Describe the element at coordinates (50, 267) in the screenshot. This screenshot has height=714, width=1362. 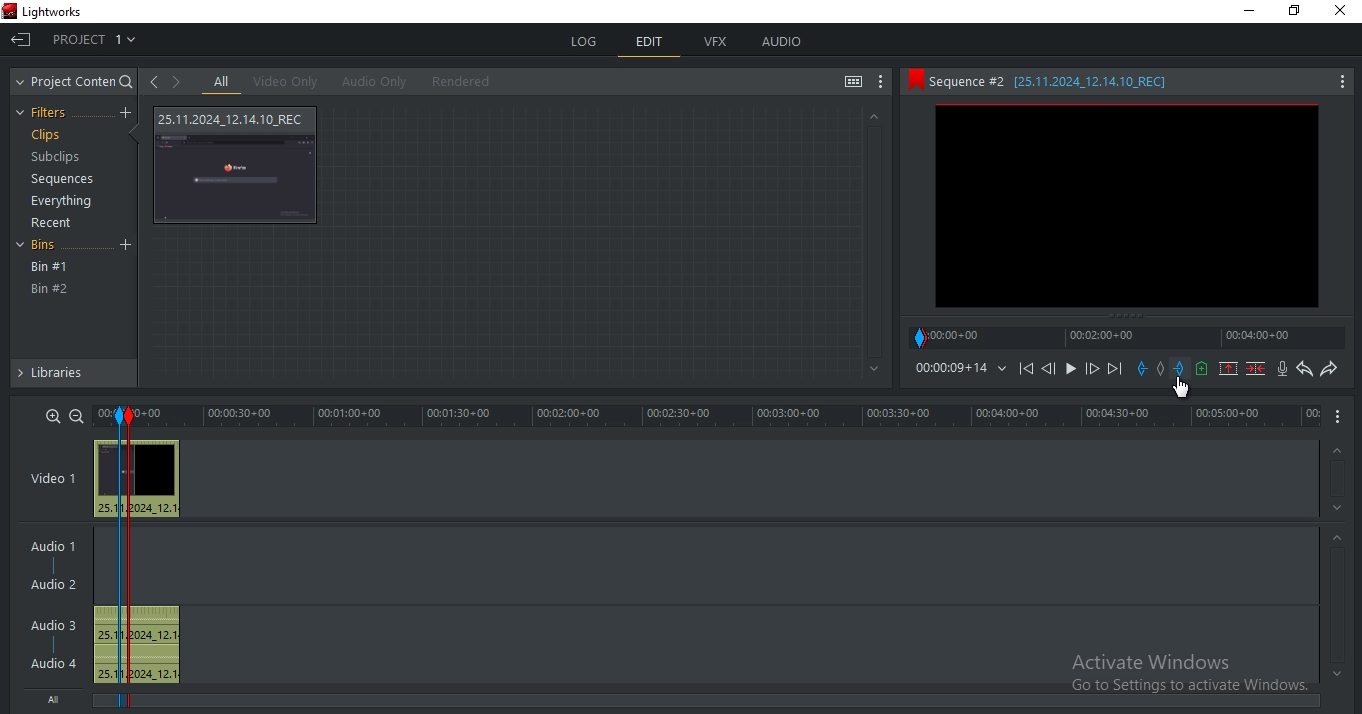
I see `bin #1` at that location.